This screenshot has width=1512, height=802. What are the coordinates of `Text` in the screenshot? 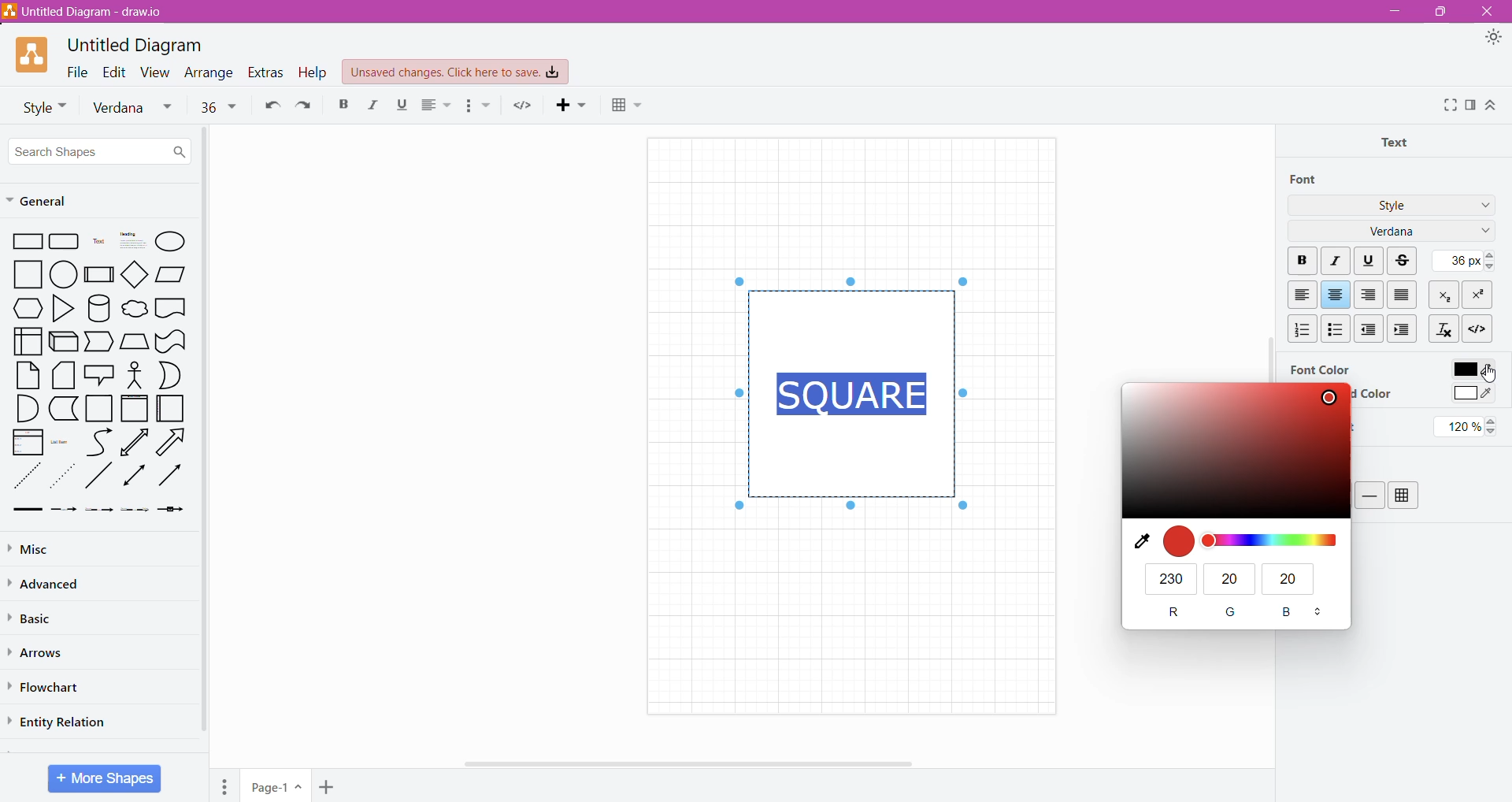 It's located at (1399, 141).